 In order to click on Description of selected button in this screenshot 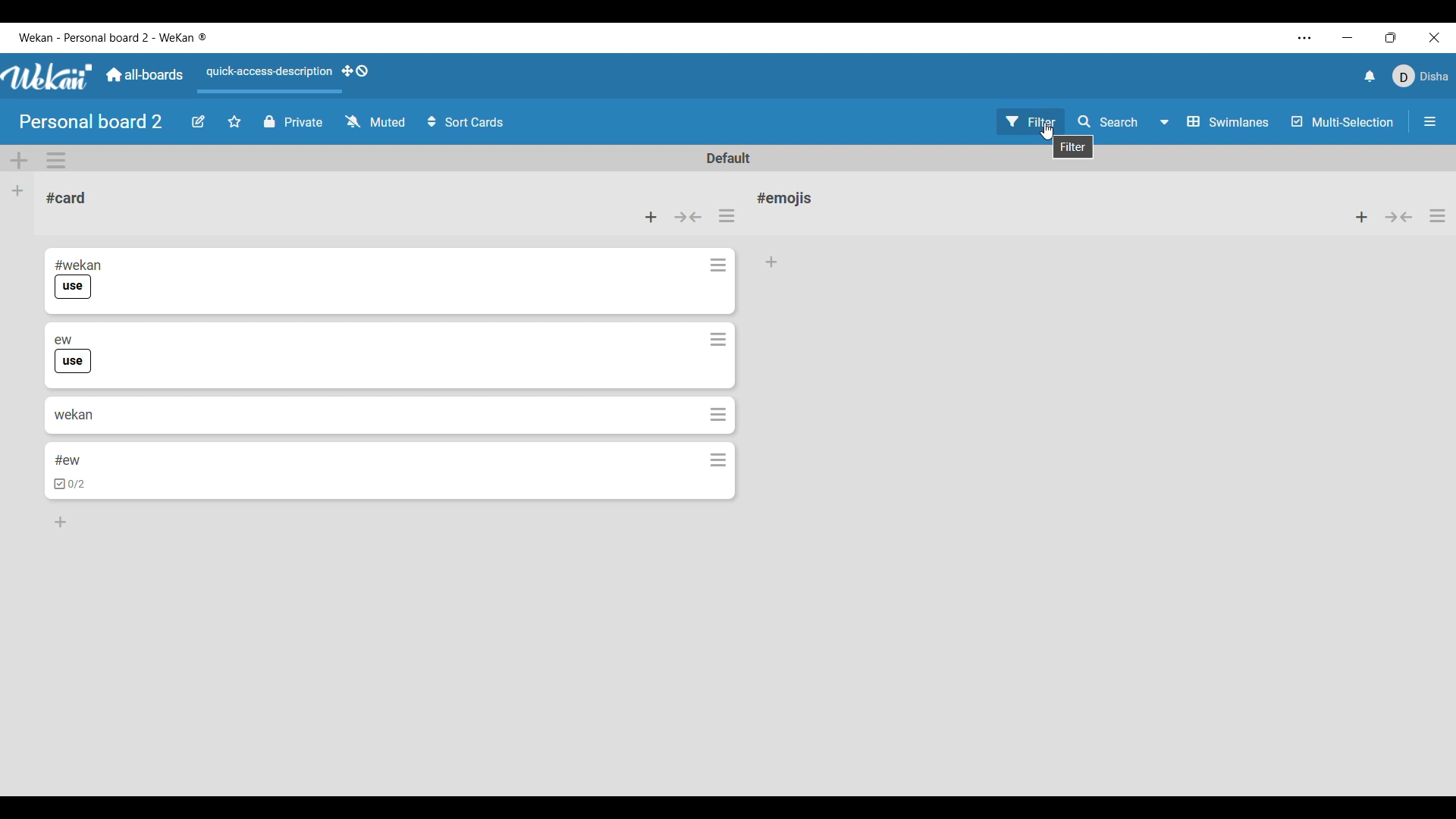, I will do `click(1074, 146)`.